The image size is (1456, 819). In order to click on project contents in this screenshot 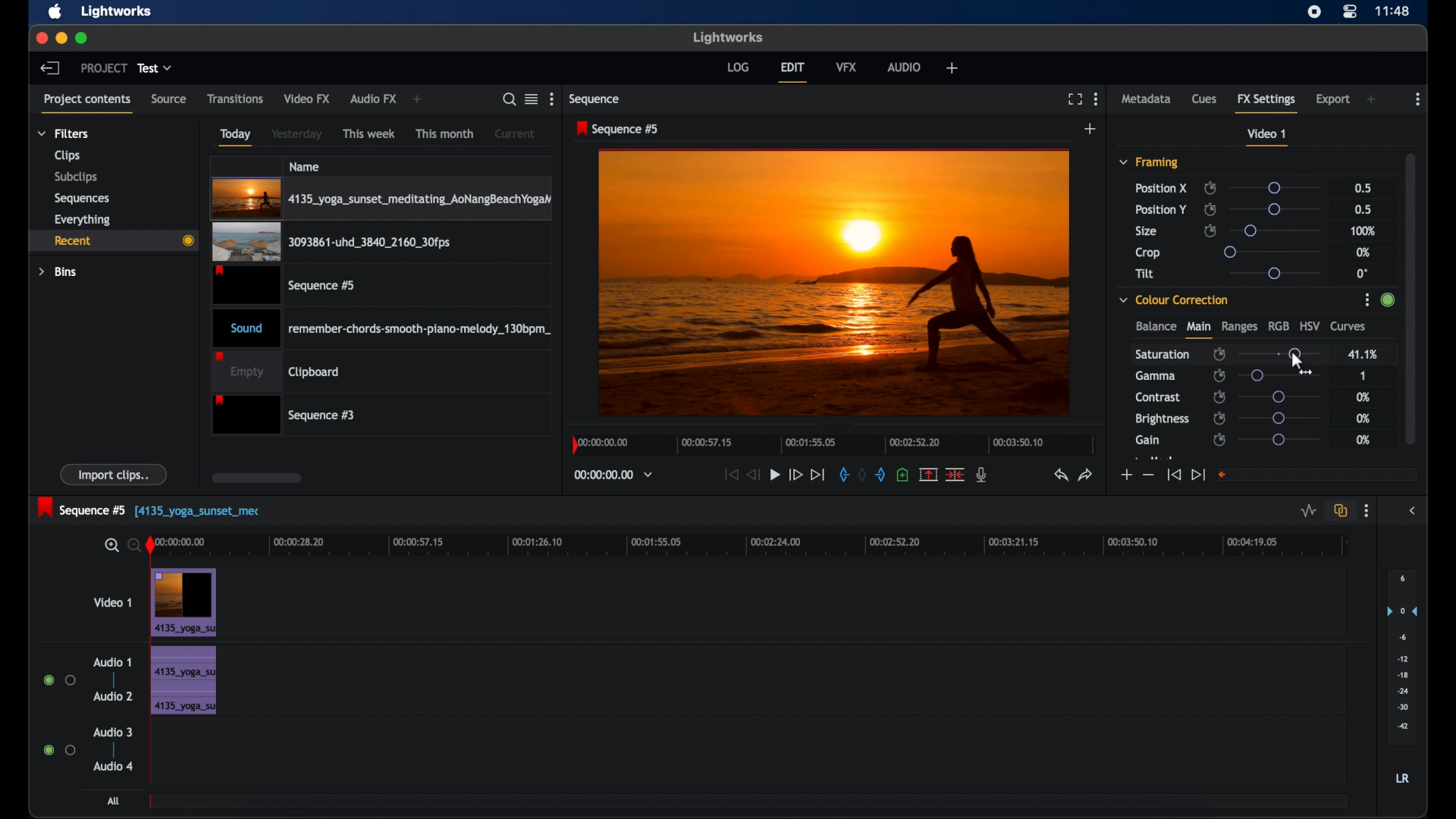, I will do `click(89, 102)`.